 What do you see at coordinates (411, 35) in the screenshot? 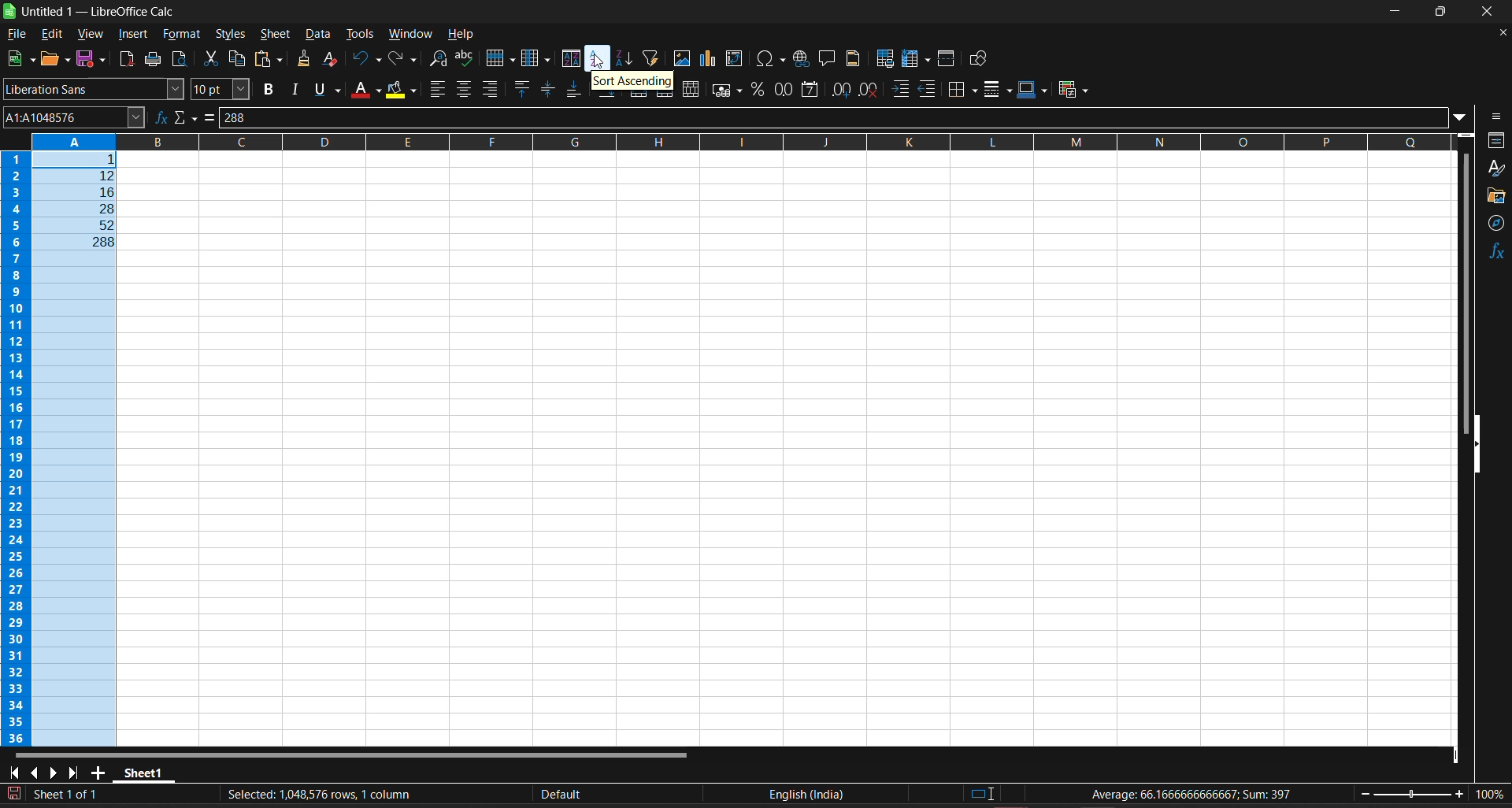
I see `window` at bounding box center [411, 35].